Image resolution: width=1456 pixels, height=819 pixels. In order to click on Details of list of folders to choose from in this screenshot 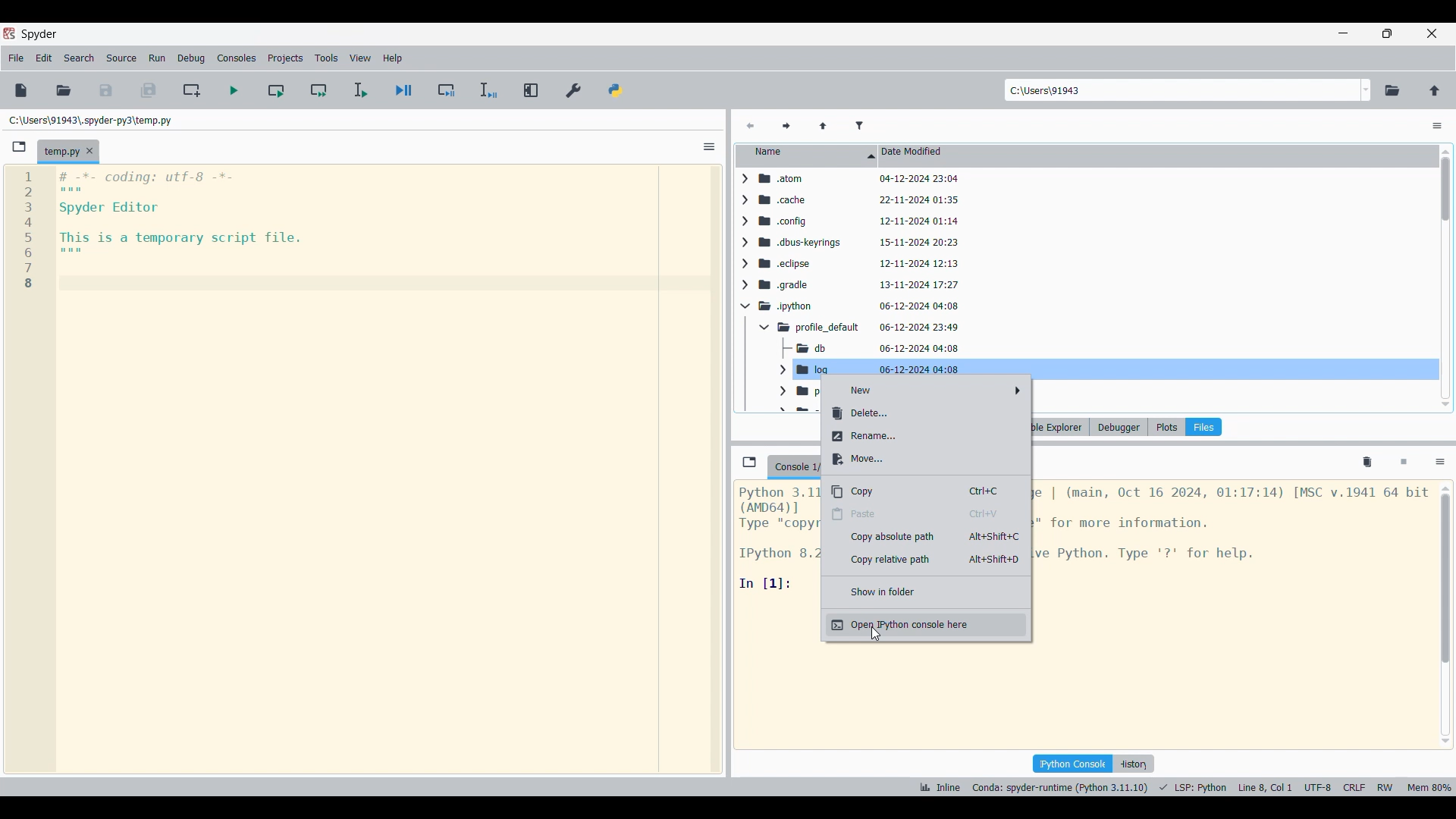, I will do `click(1092, 275)`.